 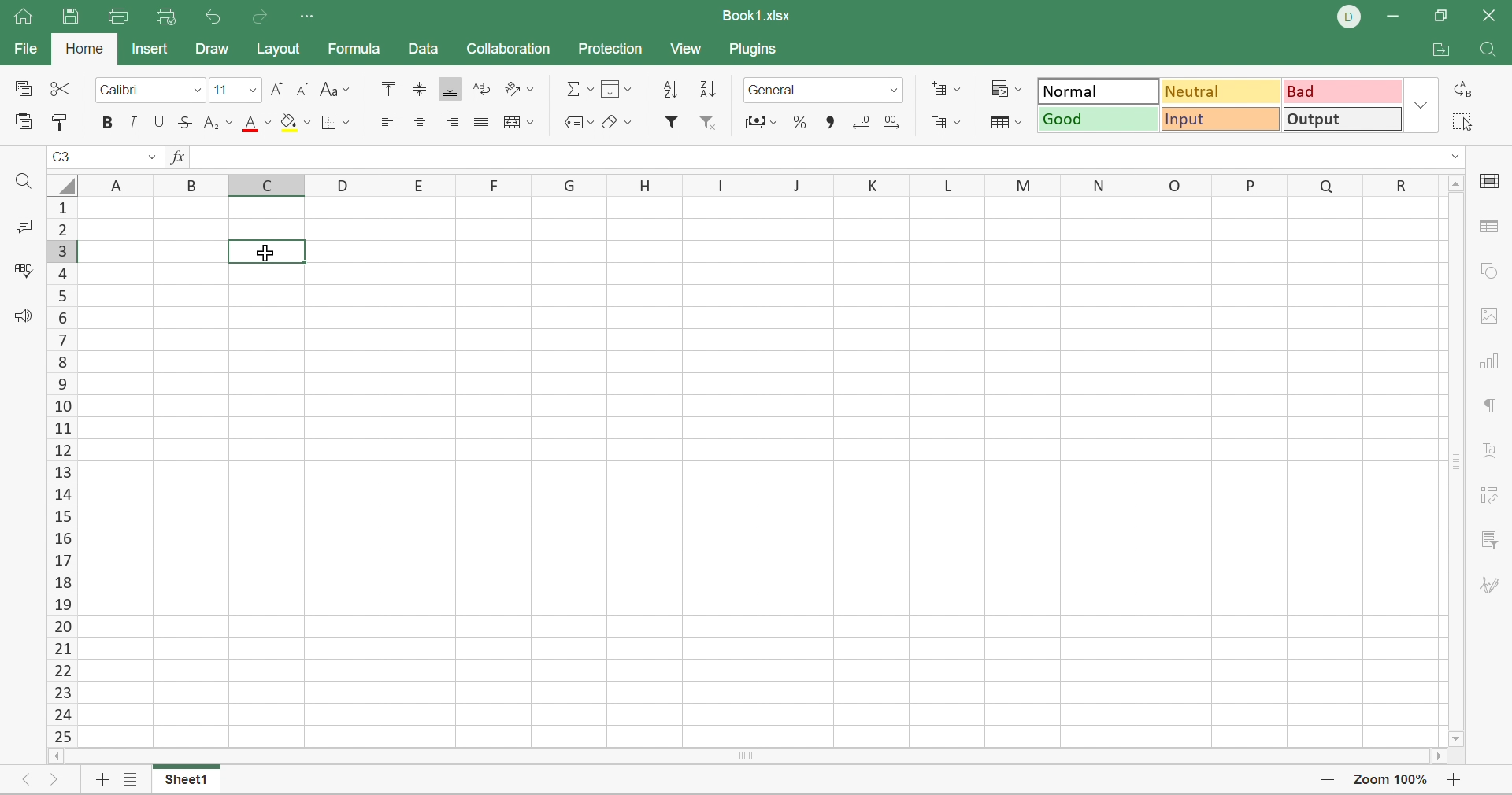 I want to click on Percent style, so click(x=799, y=120).